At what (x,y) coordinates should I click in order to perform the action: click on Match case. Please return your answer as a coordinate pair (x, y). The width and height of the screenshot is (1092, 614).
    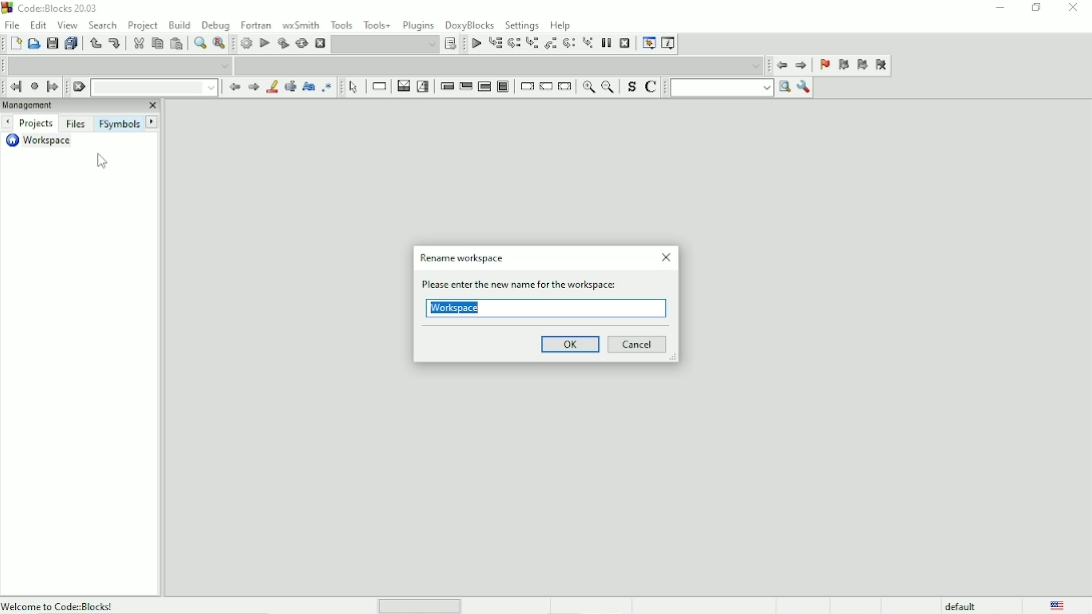
    Looking at the image, I should click on (307, 87).